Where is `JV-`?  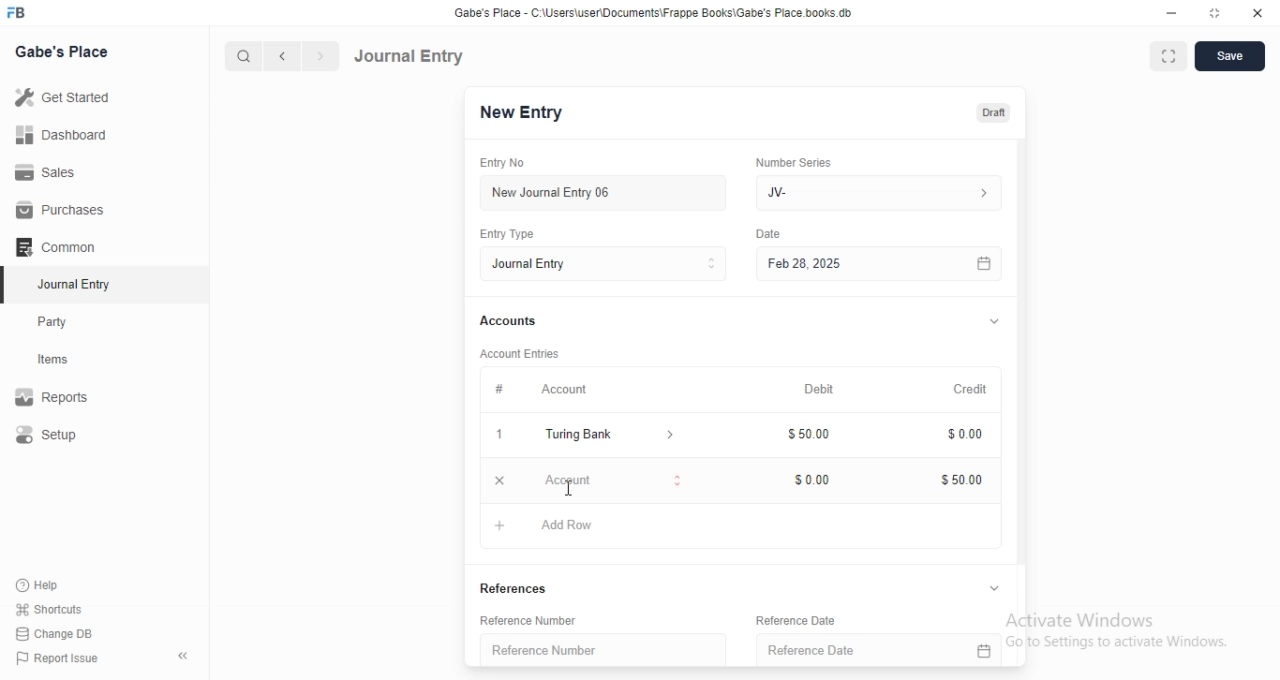 JV- is located at coordinates (878, 190).